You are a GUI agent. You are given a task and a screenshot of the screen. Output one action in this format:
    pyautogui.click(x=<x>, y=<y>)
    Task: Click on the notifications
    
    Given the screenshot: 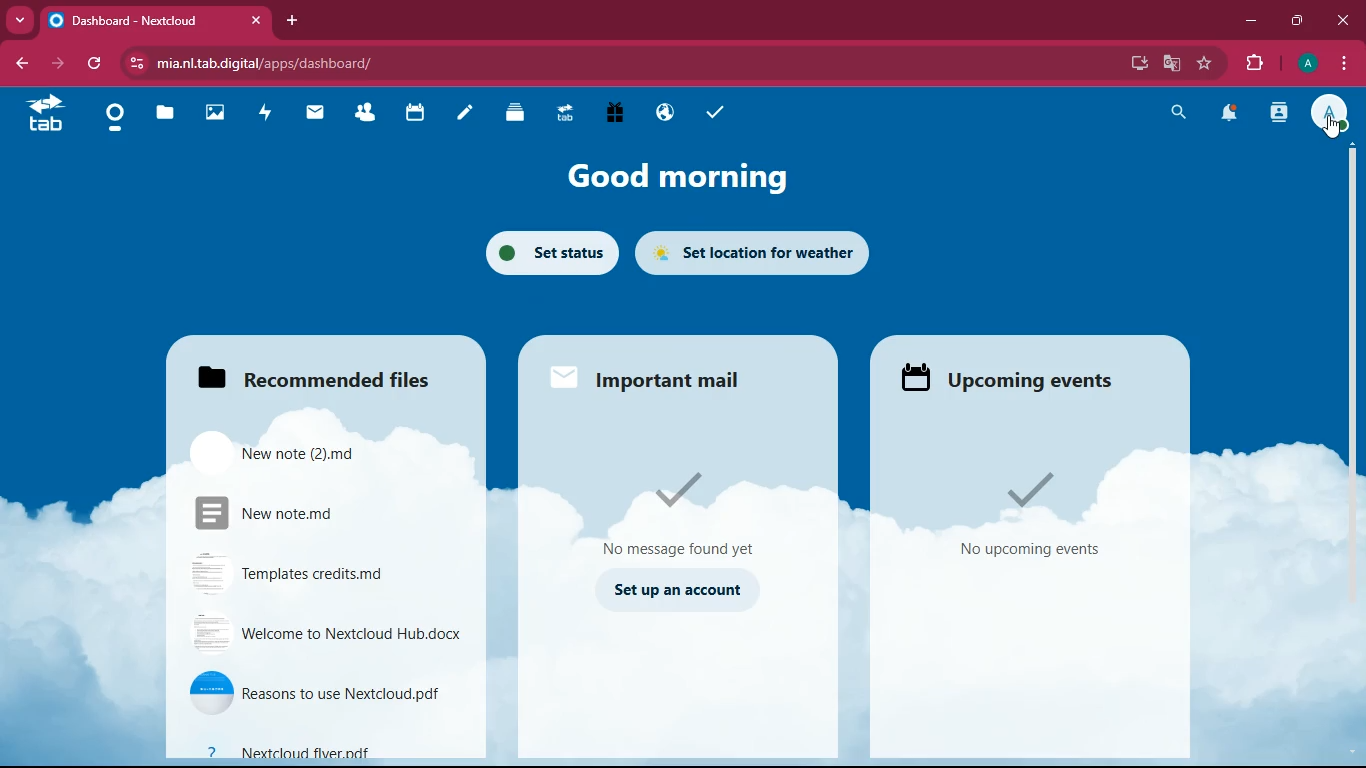 What is the action you would take?
    pyautogui.click(x=1230, y=114)
    